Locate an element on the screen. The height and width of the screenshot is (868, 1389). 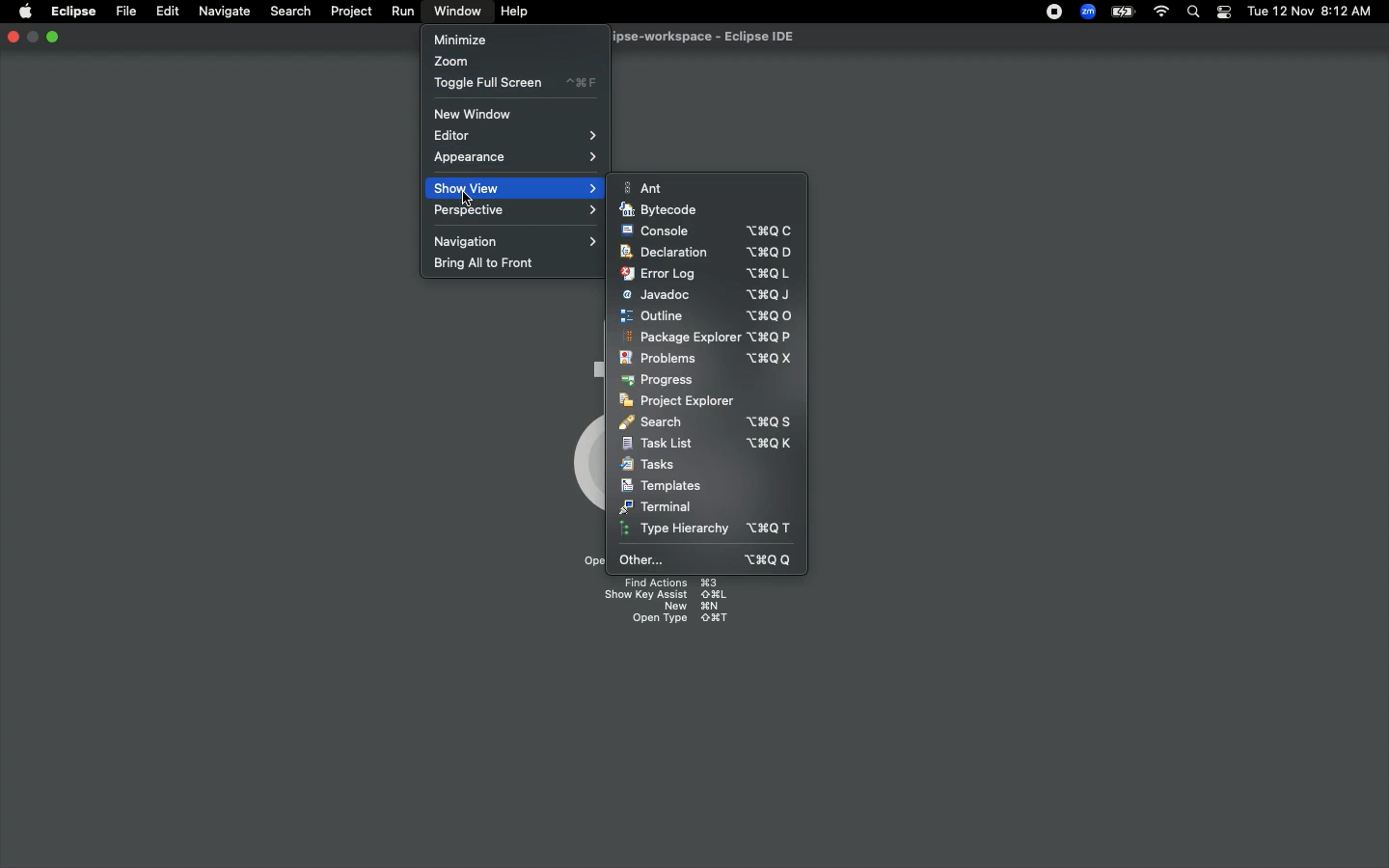
Outline is located at coordinates (703, 317).